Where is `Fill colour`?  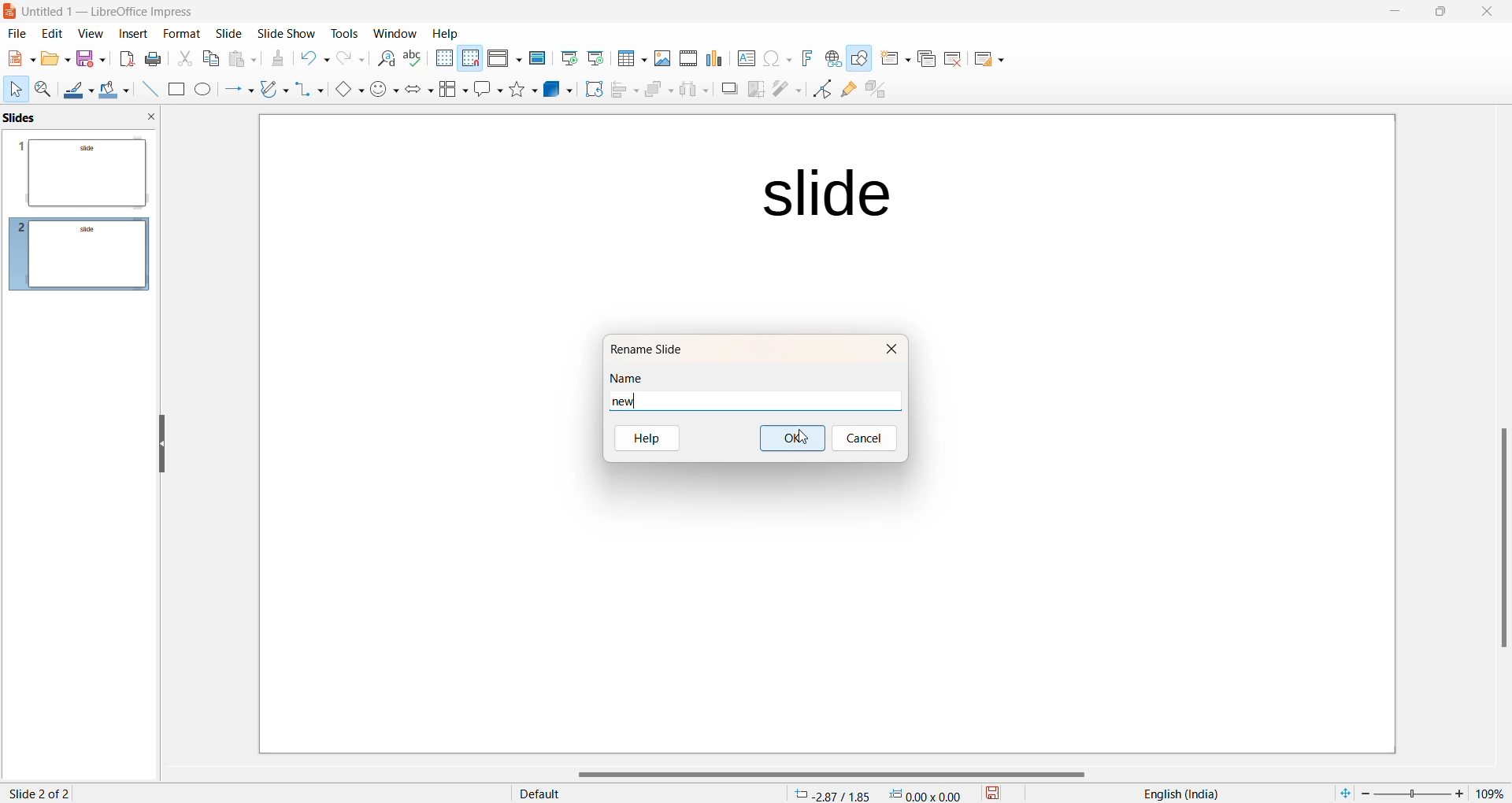 Fill colour is located at coordinates (112, 89).